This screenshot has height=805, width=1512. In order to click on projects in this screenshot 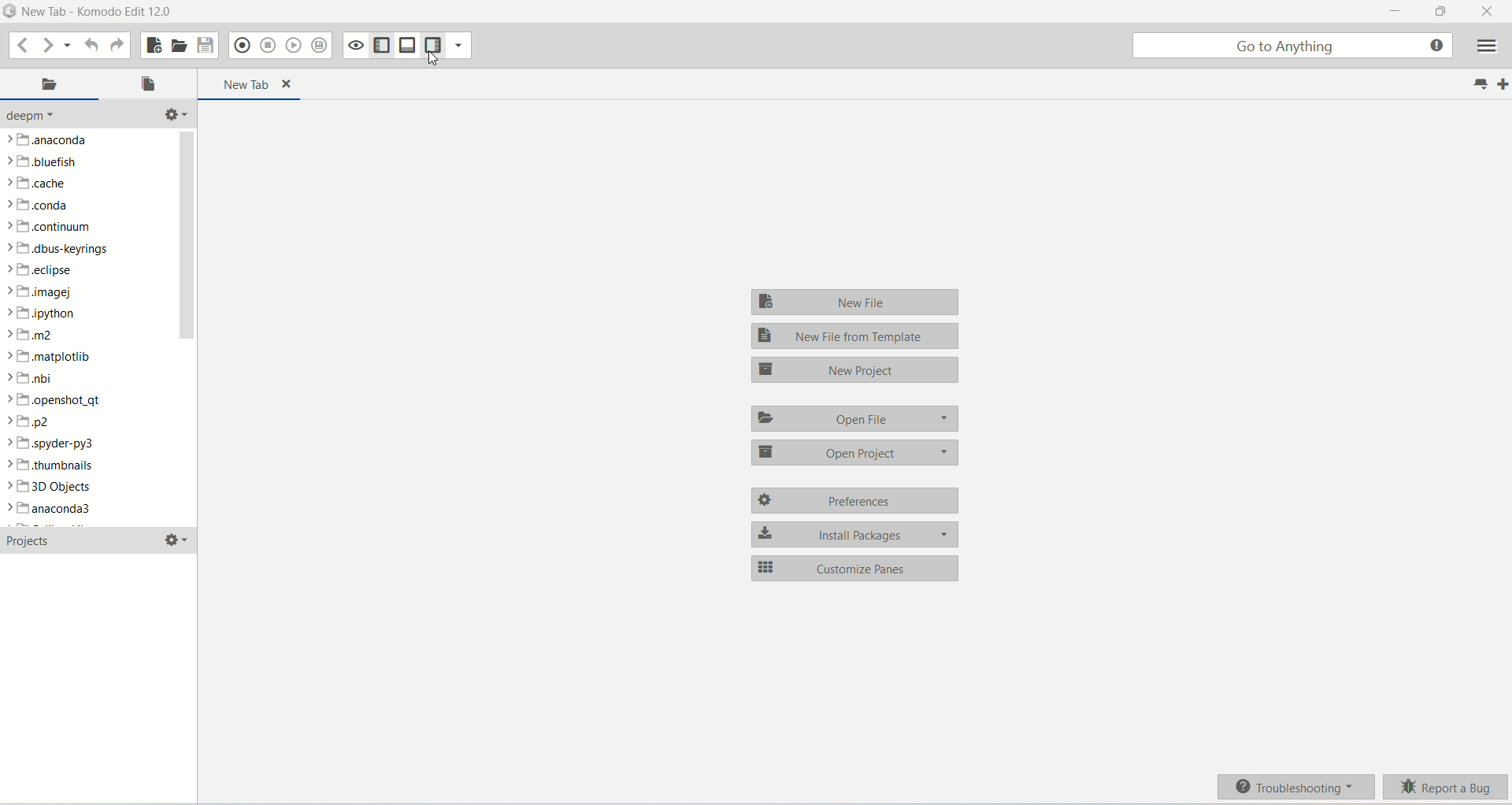, I will do `click(33, 540)`.